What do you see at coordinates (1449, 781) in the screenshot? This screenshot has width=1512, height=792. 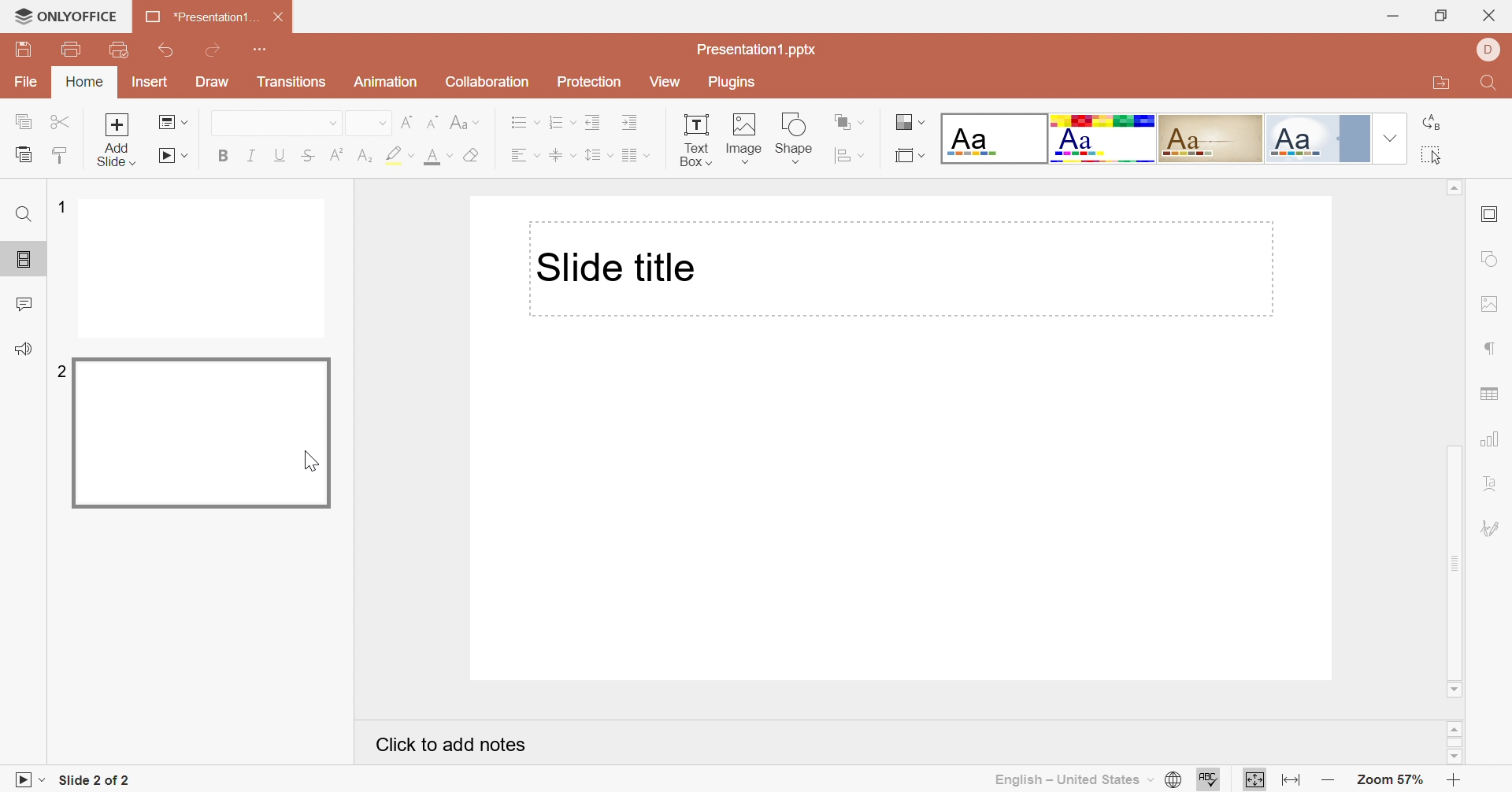 I see `Zoom in` at bounding box center [1449, 781].